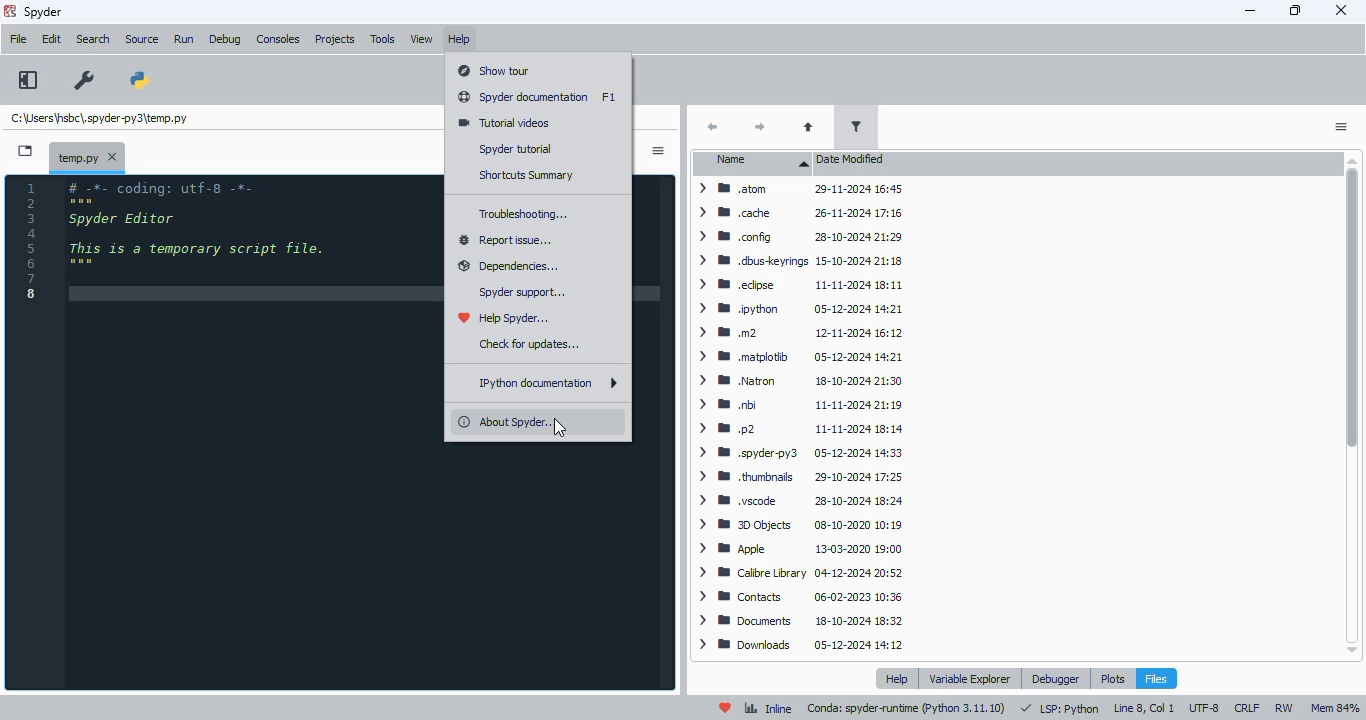  I want to click on shortcuts summary, so click(525, 175).